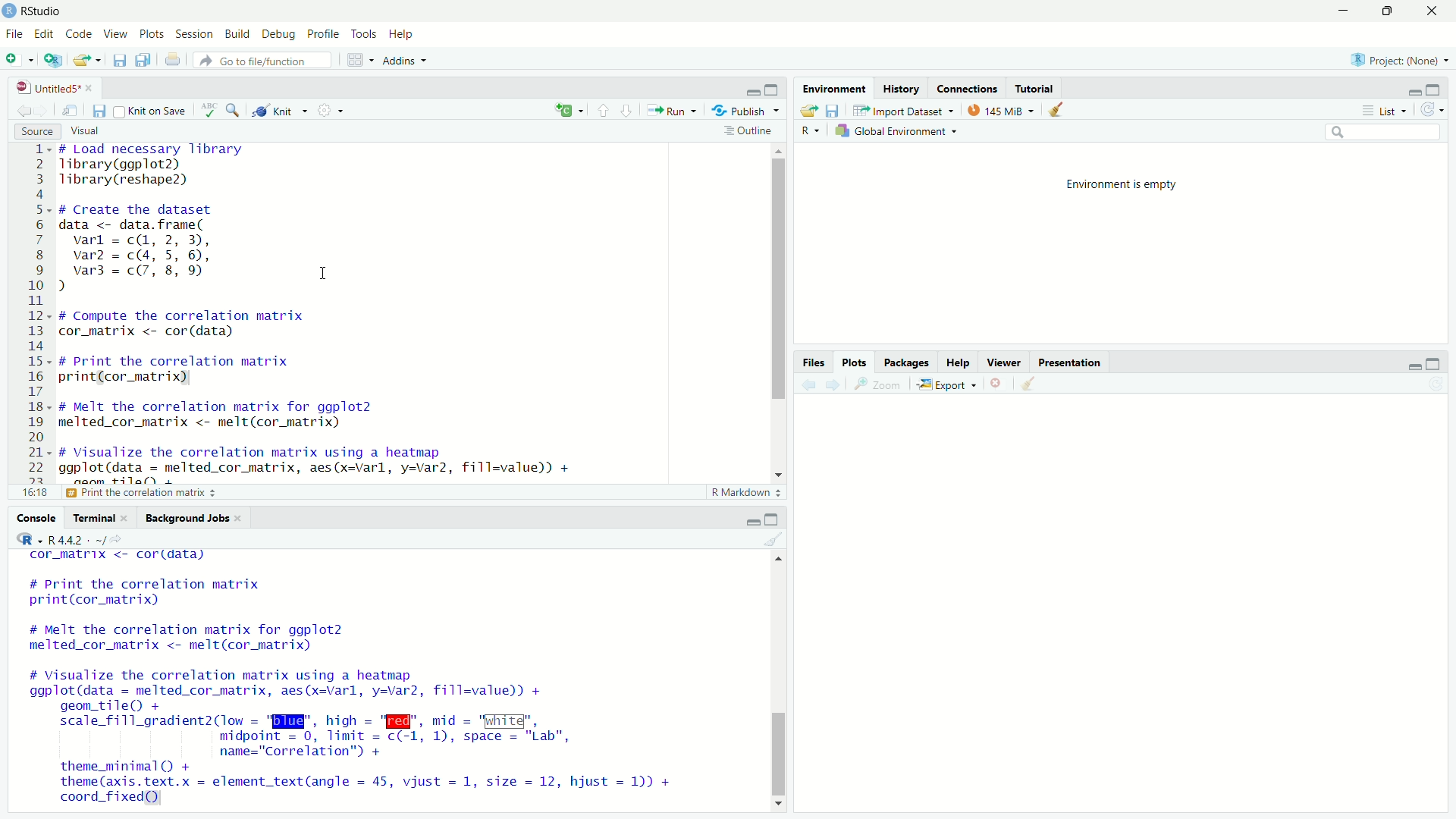  What do you see at coordinates (119, 60) in the screenshot?
I see `save current file` at bounding box center [119, 60].